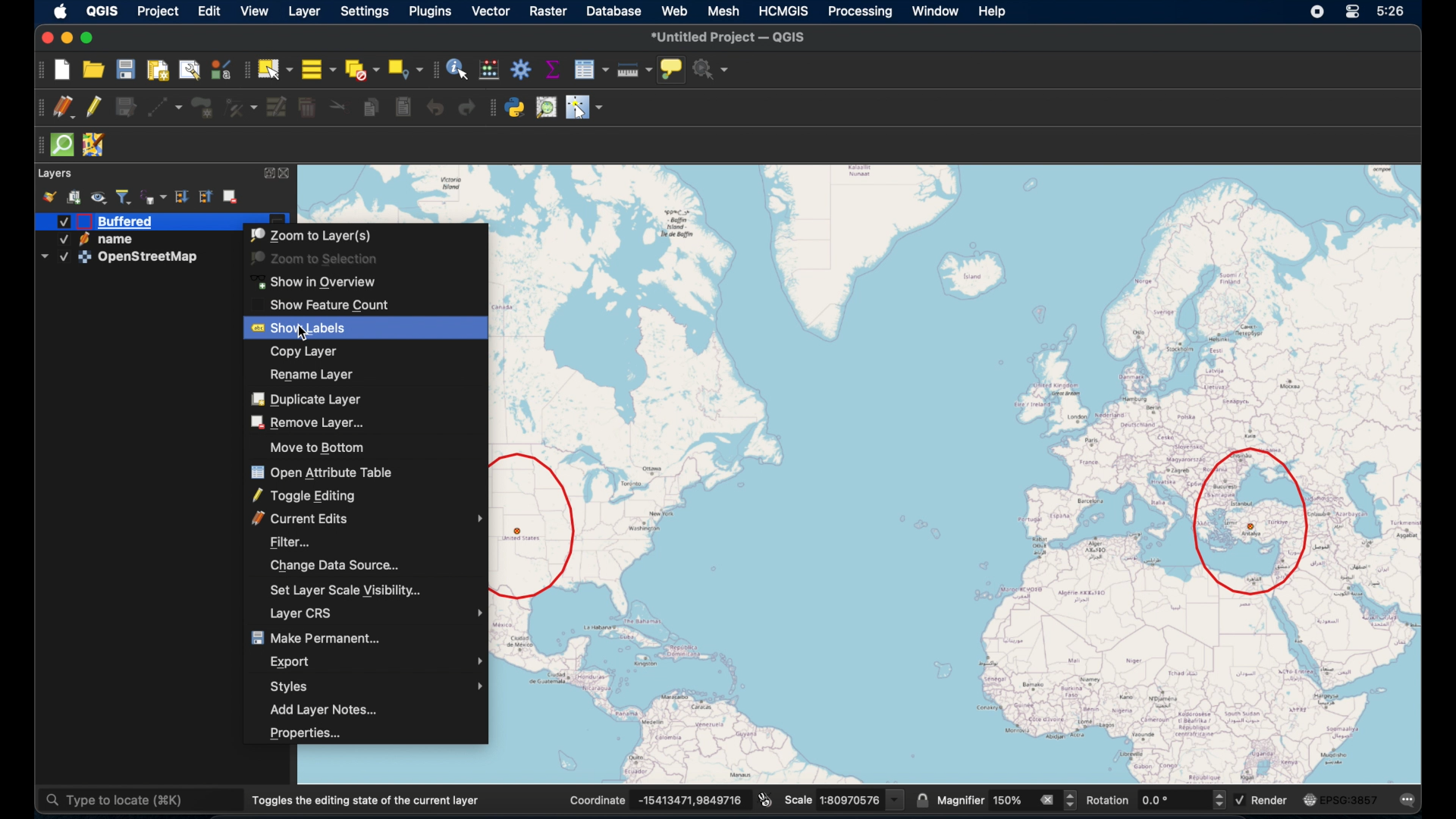  Describe the element at coordinates (204, 195) in the screenshot. I see `collapse all` at that location.